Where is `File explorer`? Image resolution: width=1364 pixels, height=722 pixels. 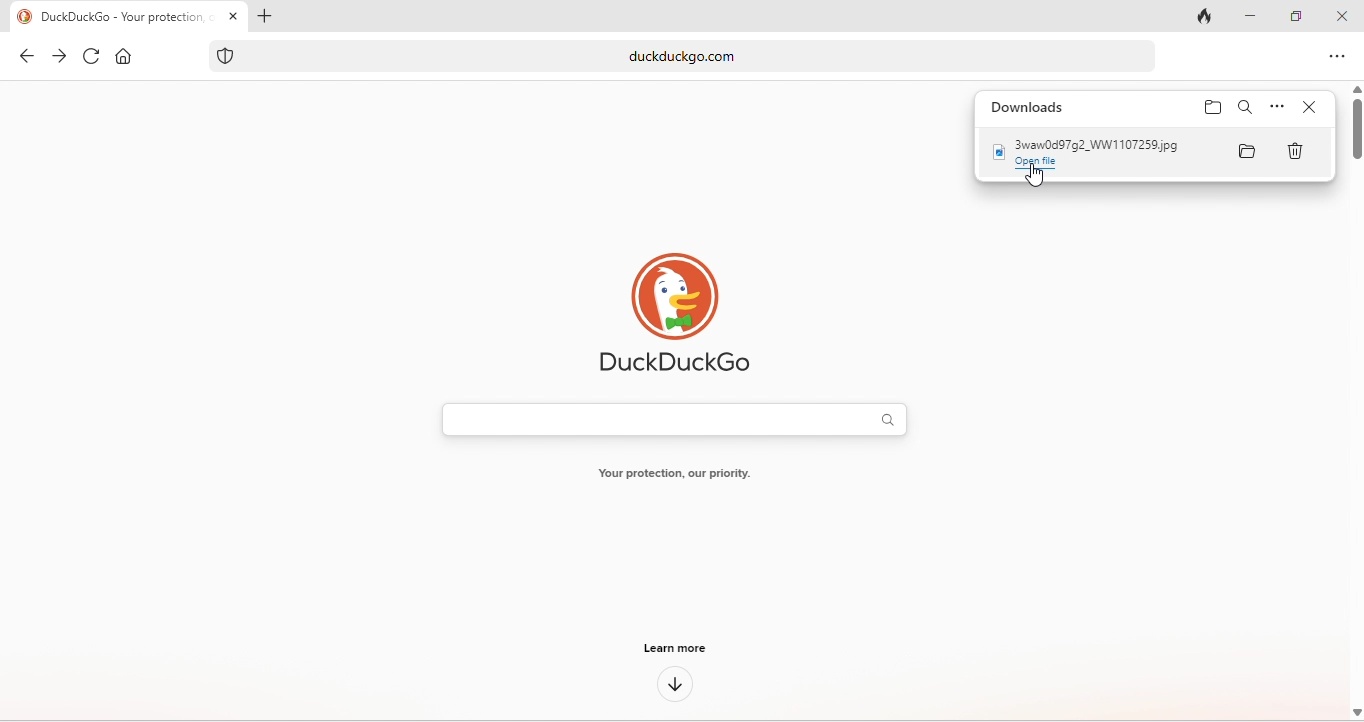
File explorer is located at coordinates (1247, 153).